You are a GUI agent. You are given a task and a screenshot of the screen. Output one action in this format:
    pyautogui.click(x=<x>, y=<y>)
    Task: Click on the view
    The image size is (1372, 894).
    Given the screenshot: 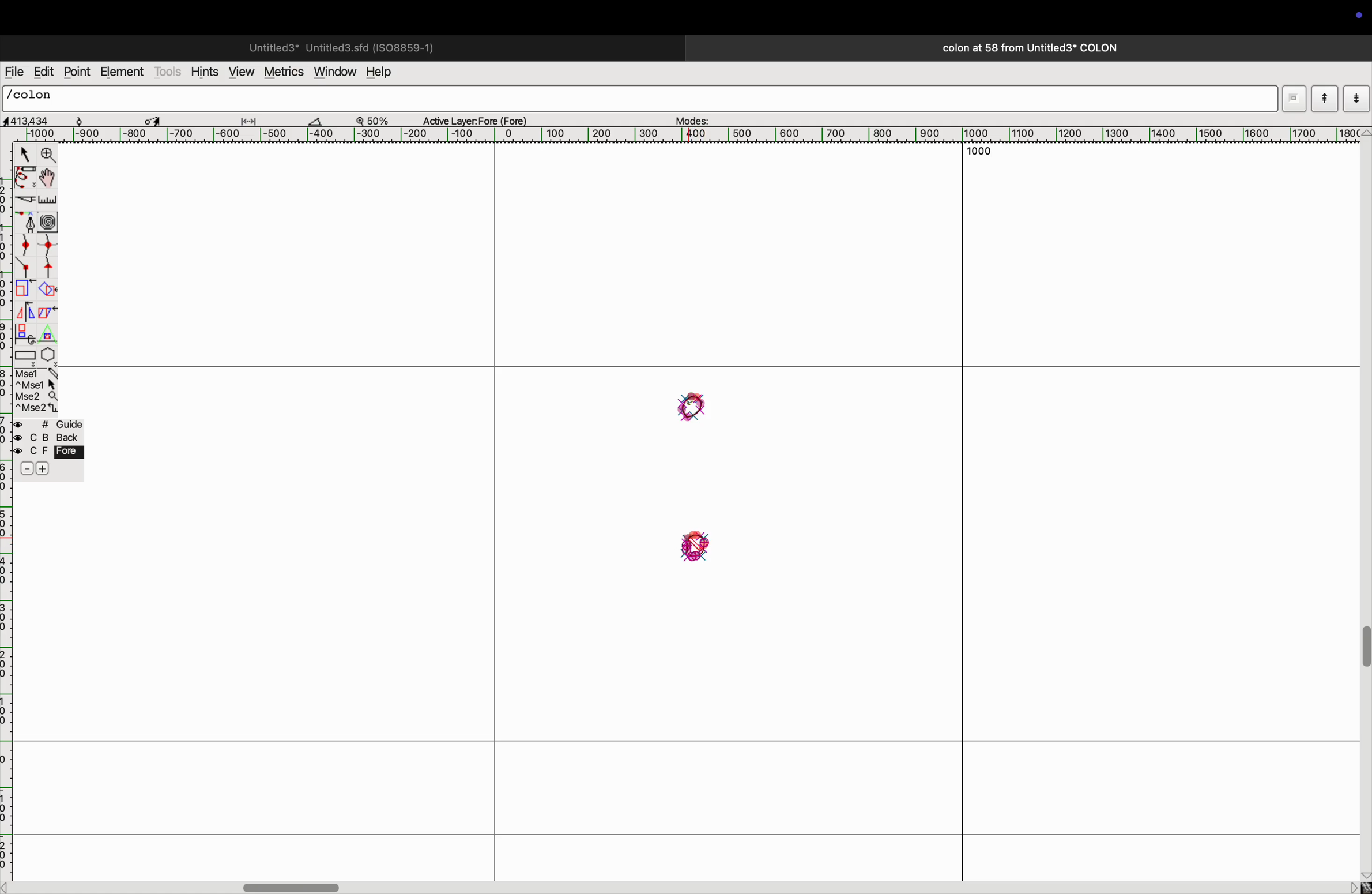 What is the action you would take?
    pyautogui.click(x=240, y=72)
    